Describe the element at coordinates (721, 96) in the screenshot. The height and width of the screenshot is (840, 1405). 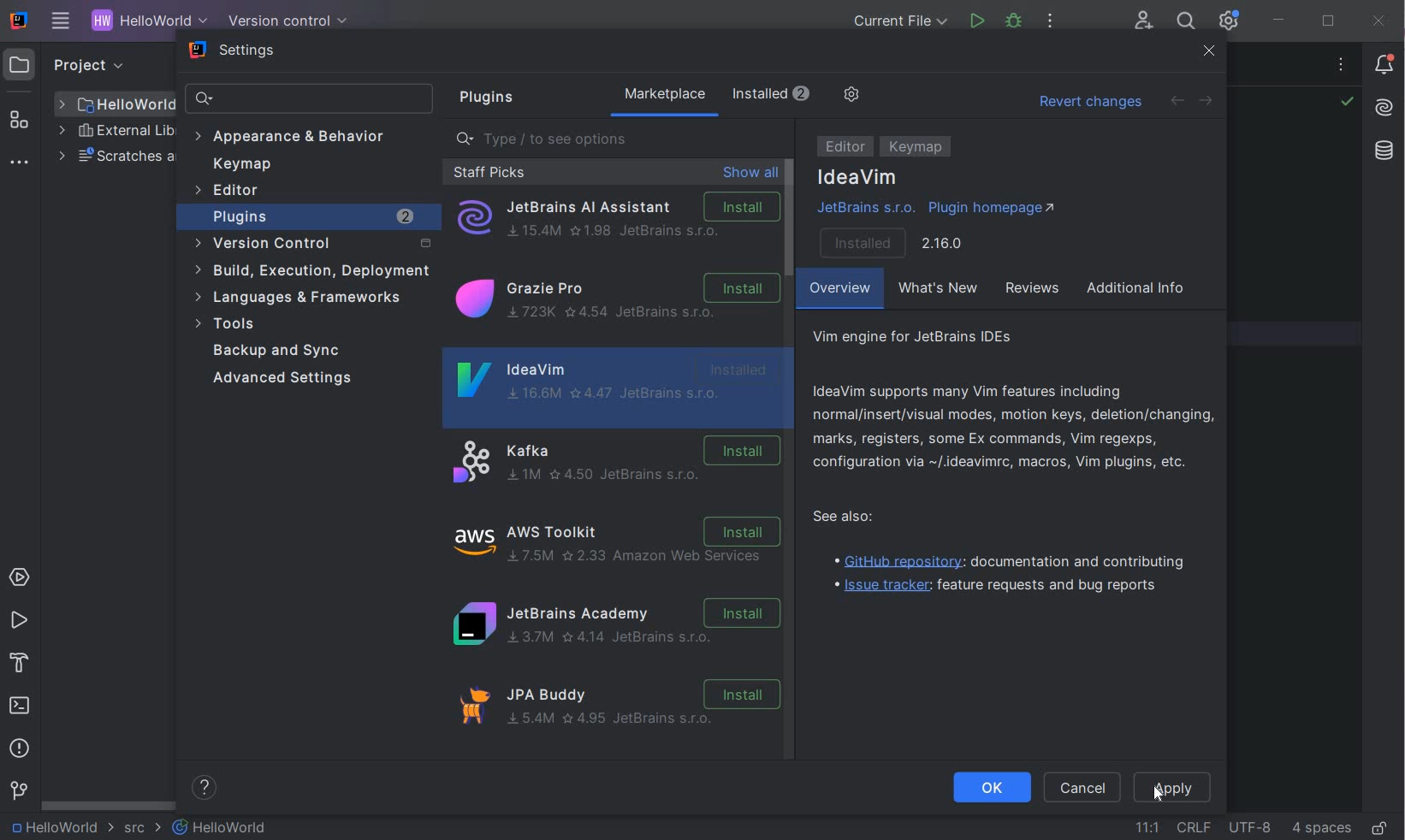
I see `marketplace` at that location.